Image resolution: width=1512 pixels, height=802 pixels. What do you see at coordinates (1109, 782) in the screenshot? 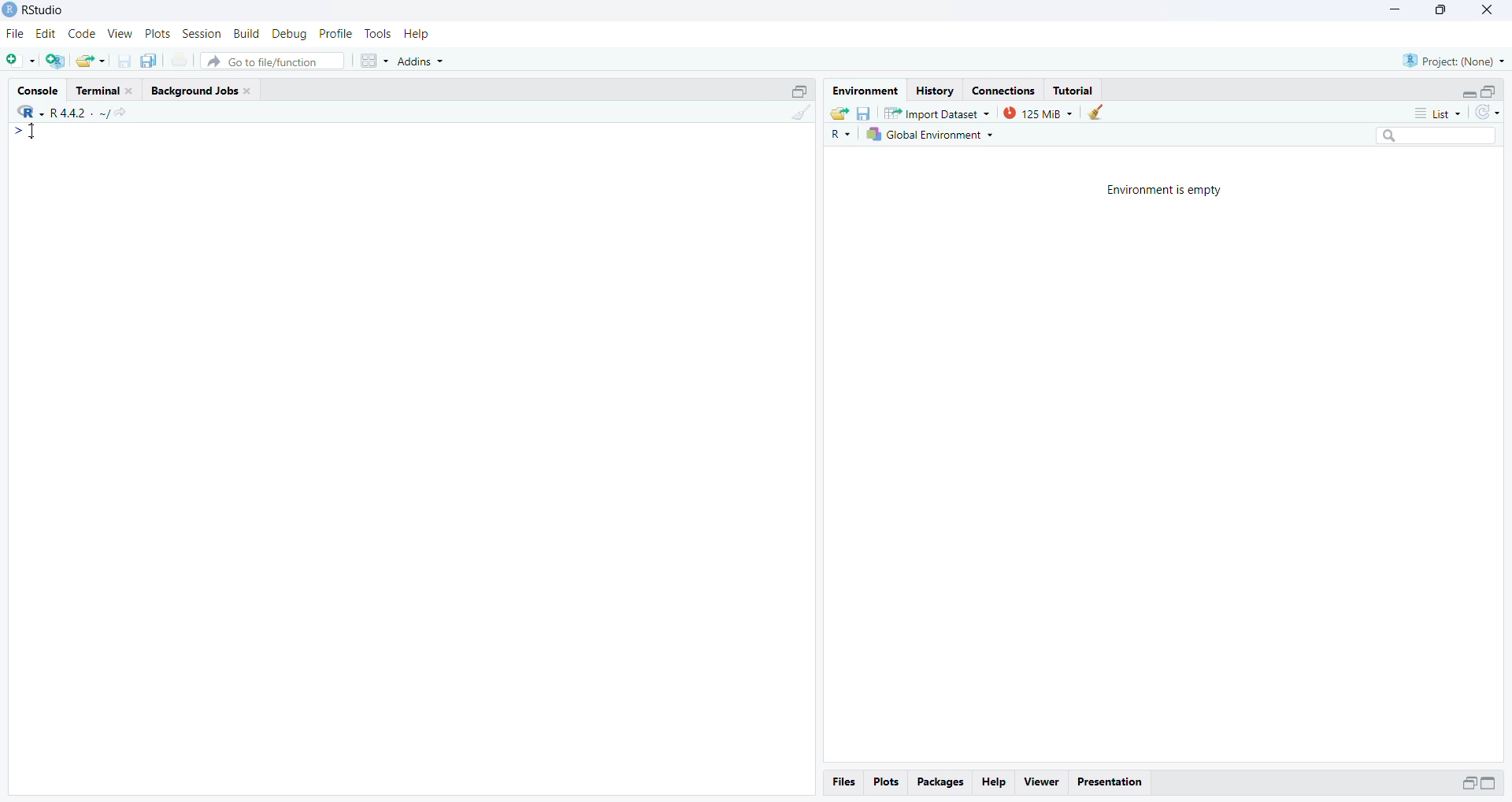
I see `Presentation` at bounding box center [1109, 782].